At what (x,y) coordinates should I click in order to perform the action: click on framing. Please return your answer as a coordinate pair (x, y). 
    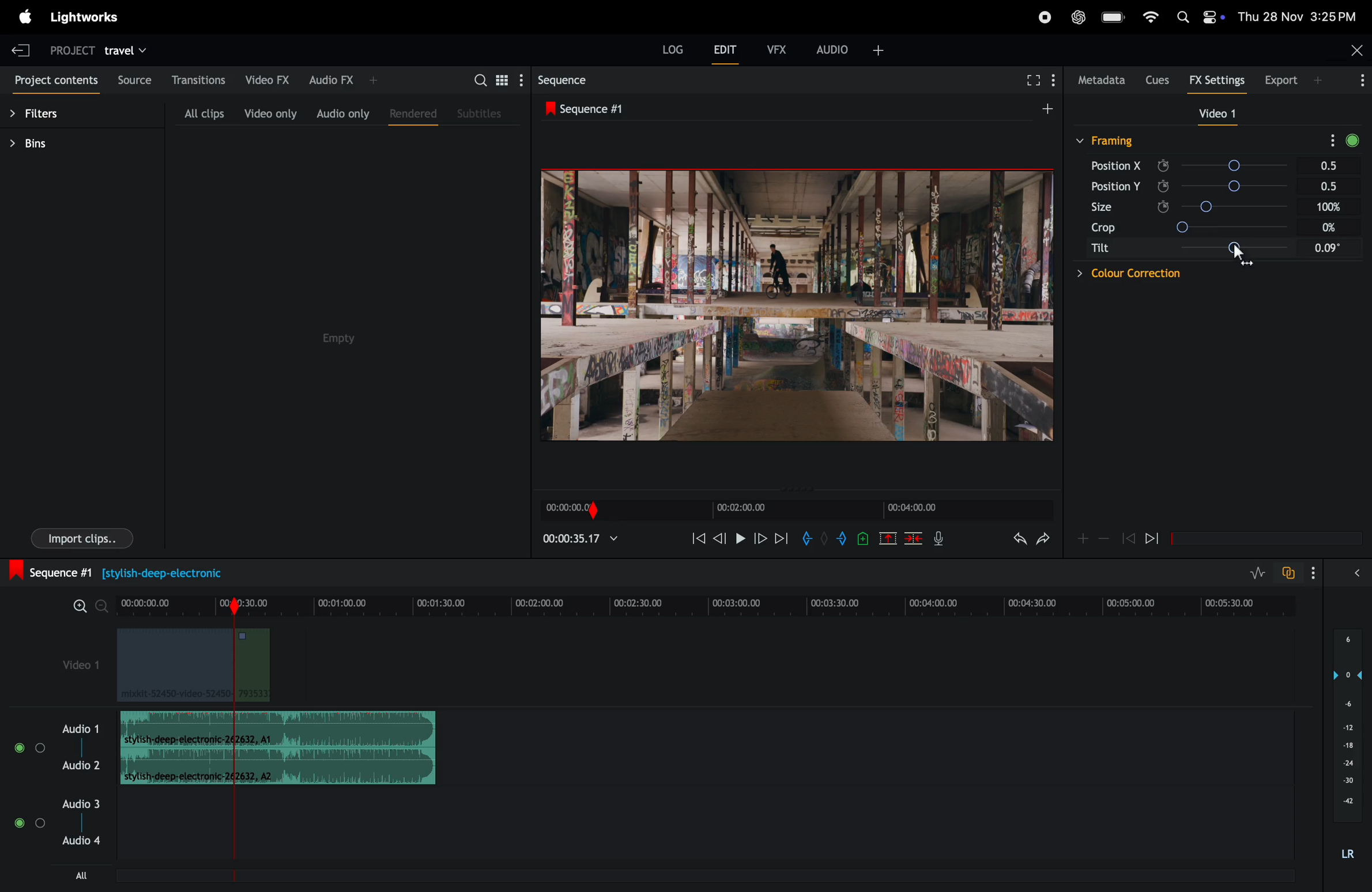
    Looking at the image, I should click on (1117, 141).